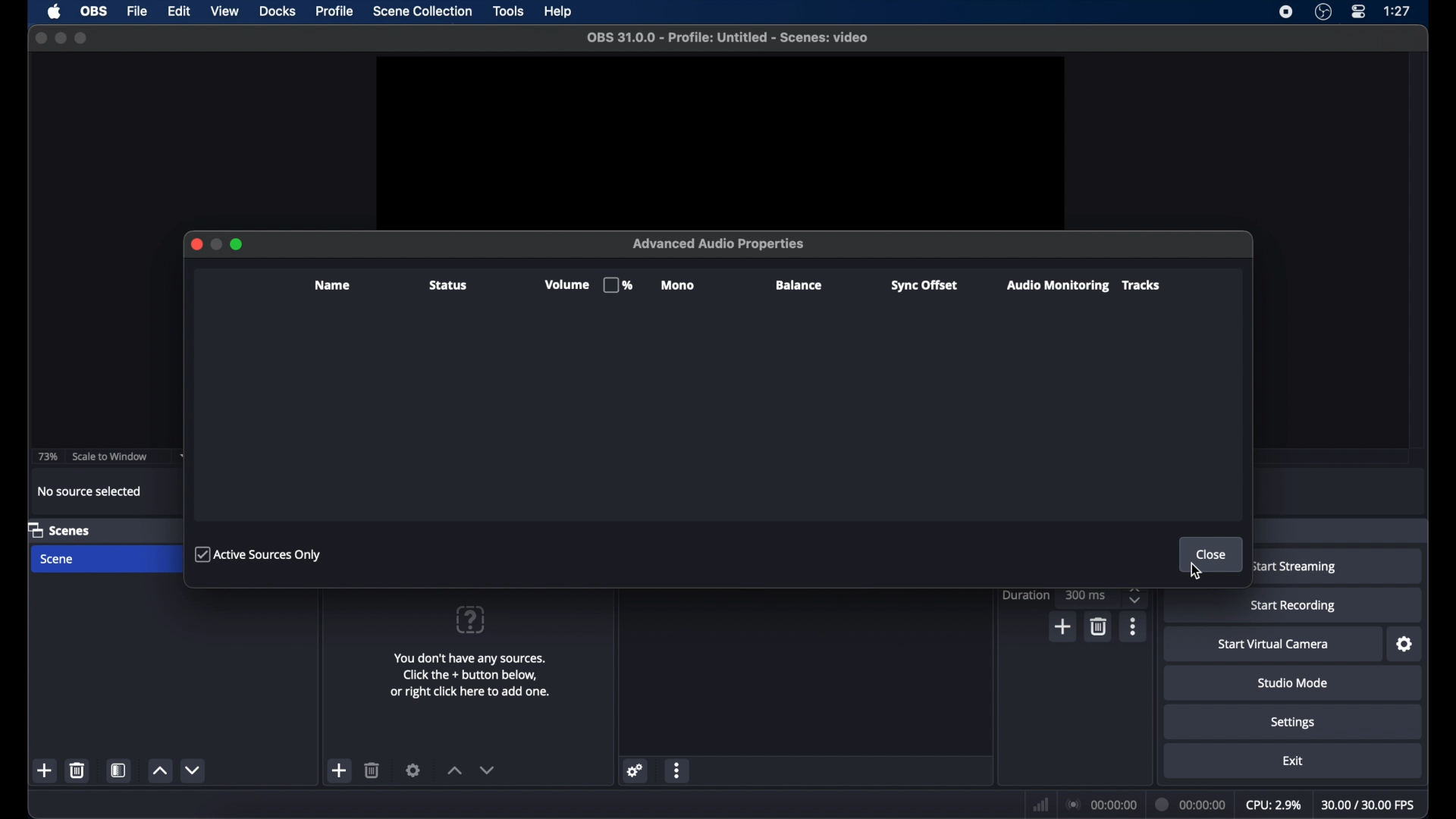  What do you see at coordinates (193, 245) in the screenshot?
I see `` at bounding box center [193, 245].